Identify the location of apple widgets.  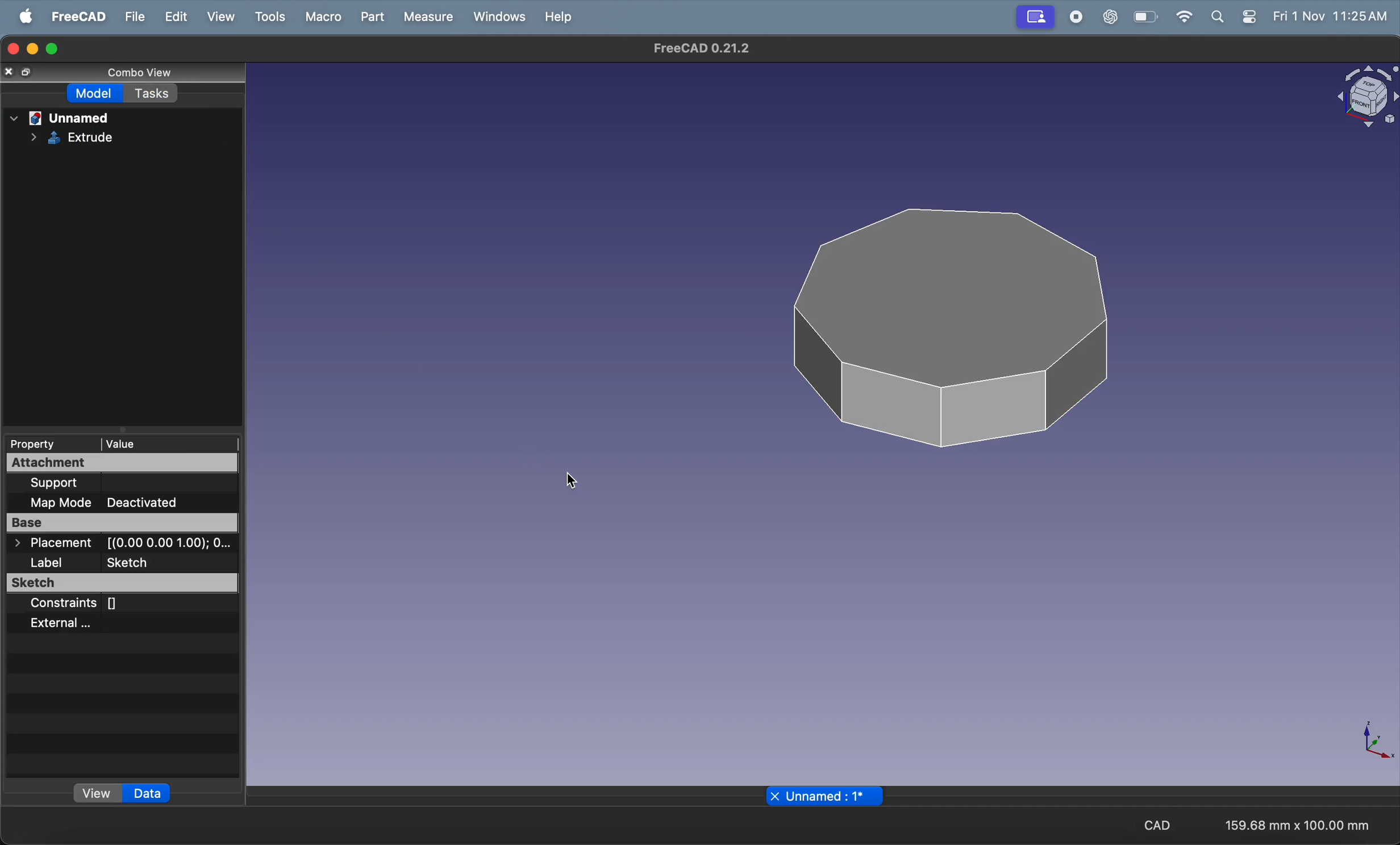
(1249, 16).